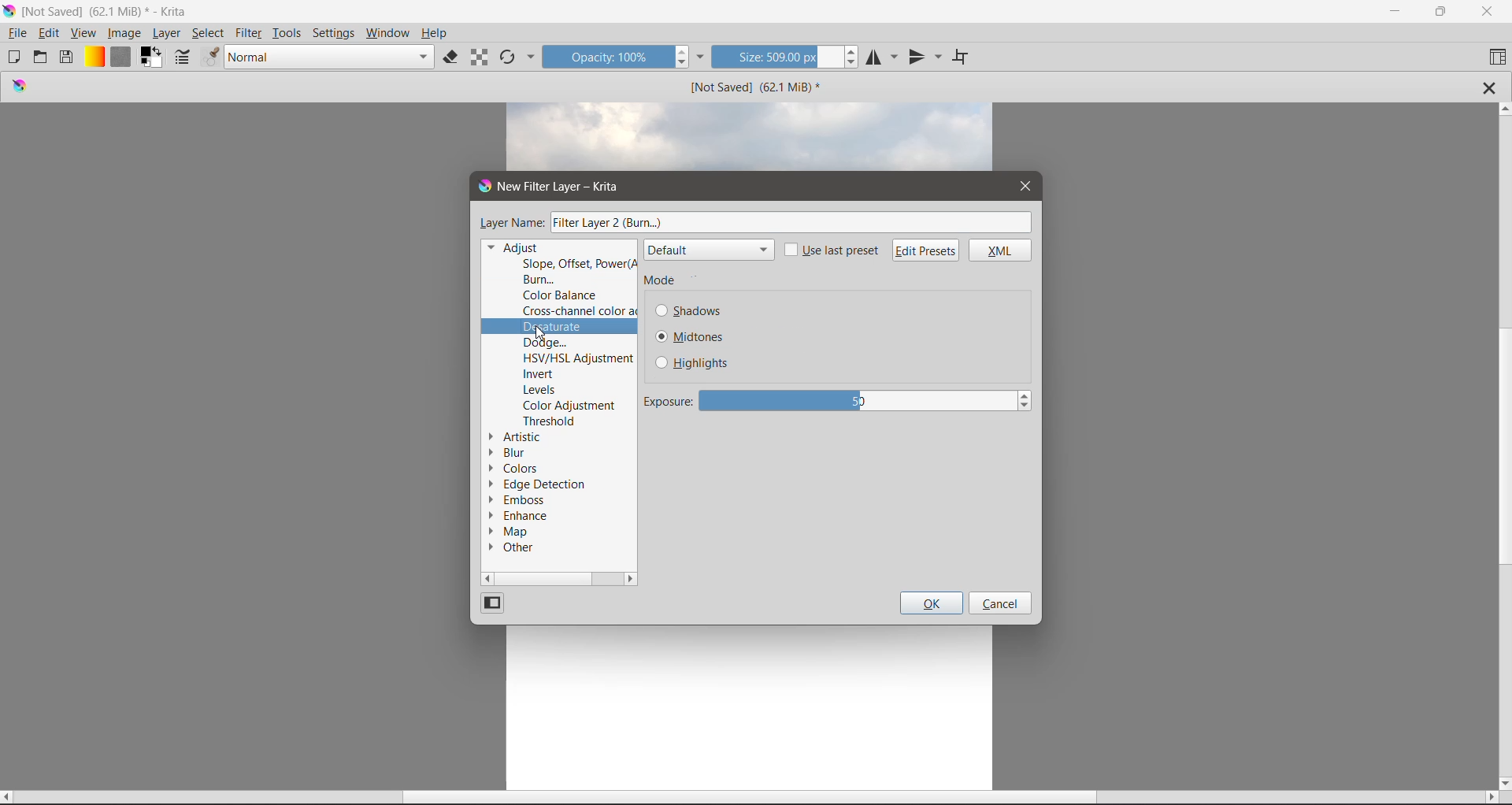 The height and width of the screenshot is (805, 1512). Describe the element at coordinates (560, 327) in the screenshot. I see `Departure` at that location.